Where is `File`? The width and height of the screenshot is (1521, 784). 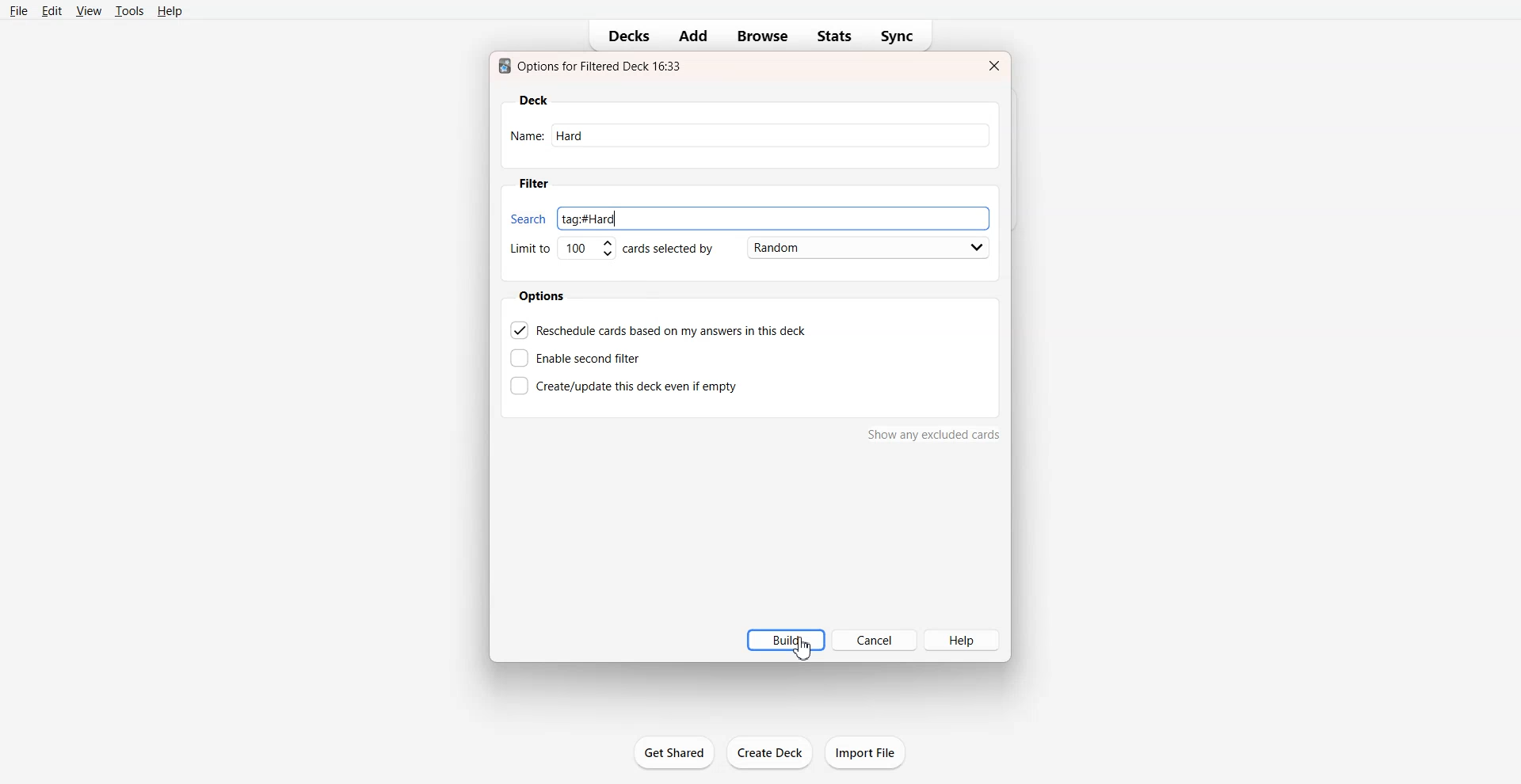
File is located at coordinates (19, 10).